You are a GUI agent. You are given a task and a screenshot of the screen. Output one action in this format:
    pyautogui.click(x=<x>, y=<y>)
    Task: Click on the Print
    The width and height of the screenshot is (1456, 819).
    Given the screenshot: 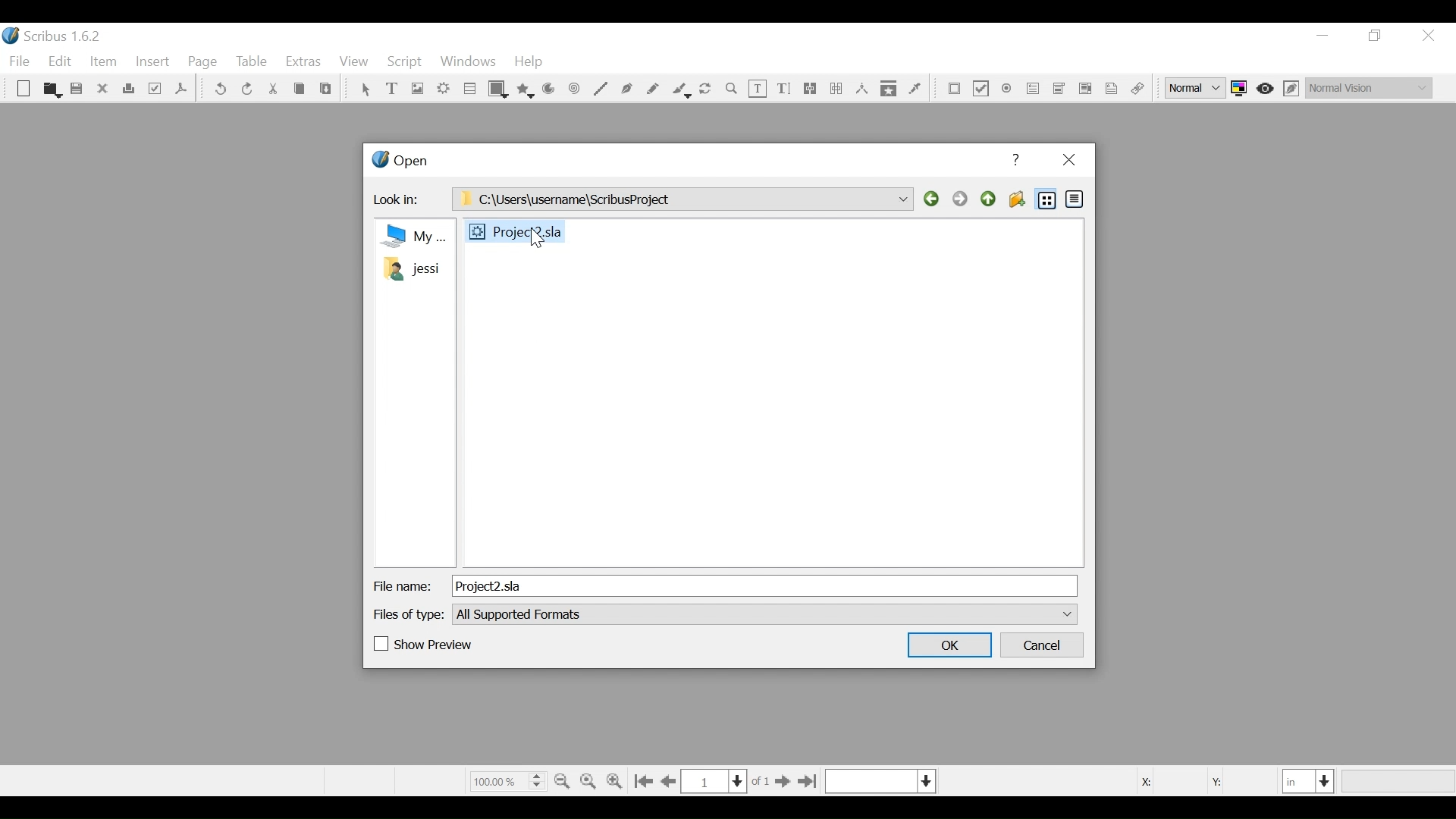 What is the action you would take?
    pyautogui.click(x=129, y=89)
    